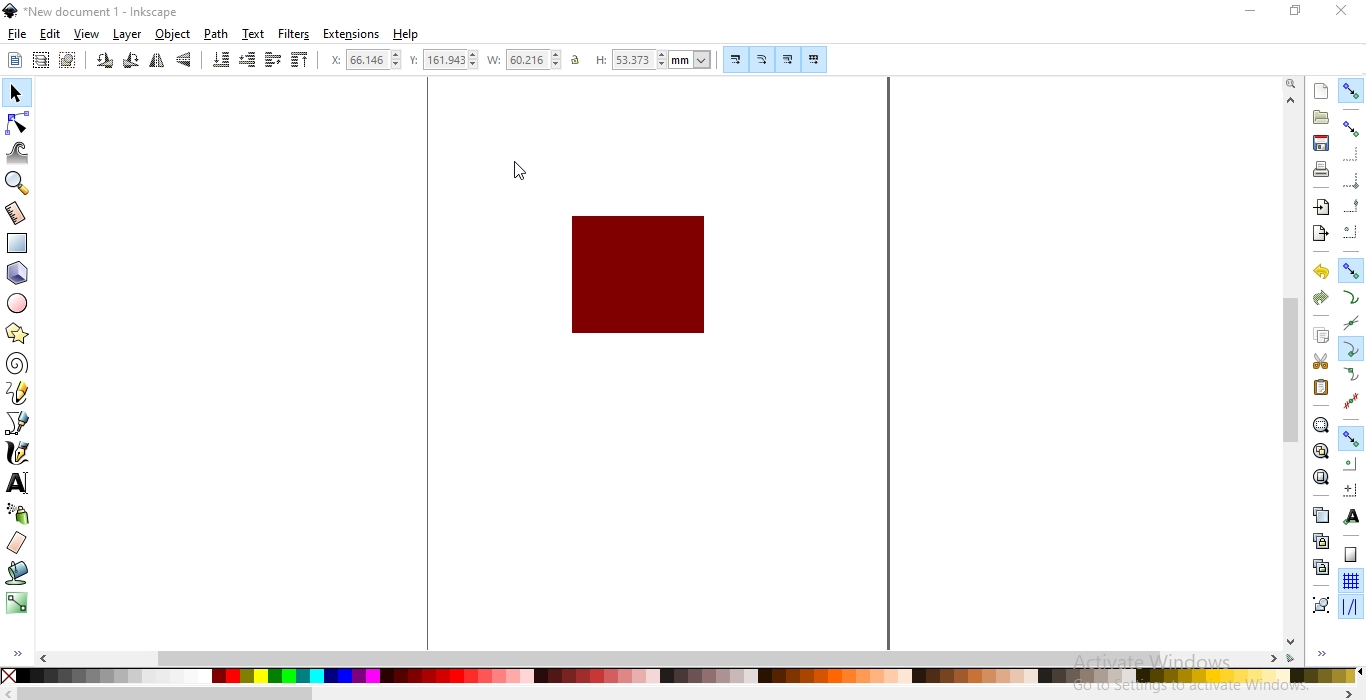 This screenshot has height=700, width=1366. What do you see at coordinates (273, 60) in the screenshot?
I see `raise selection one step` at bounding box center [273, 60].